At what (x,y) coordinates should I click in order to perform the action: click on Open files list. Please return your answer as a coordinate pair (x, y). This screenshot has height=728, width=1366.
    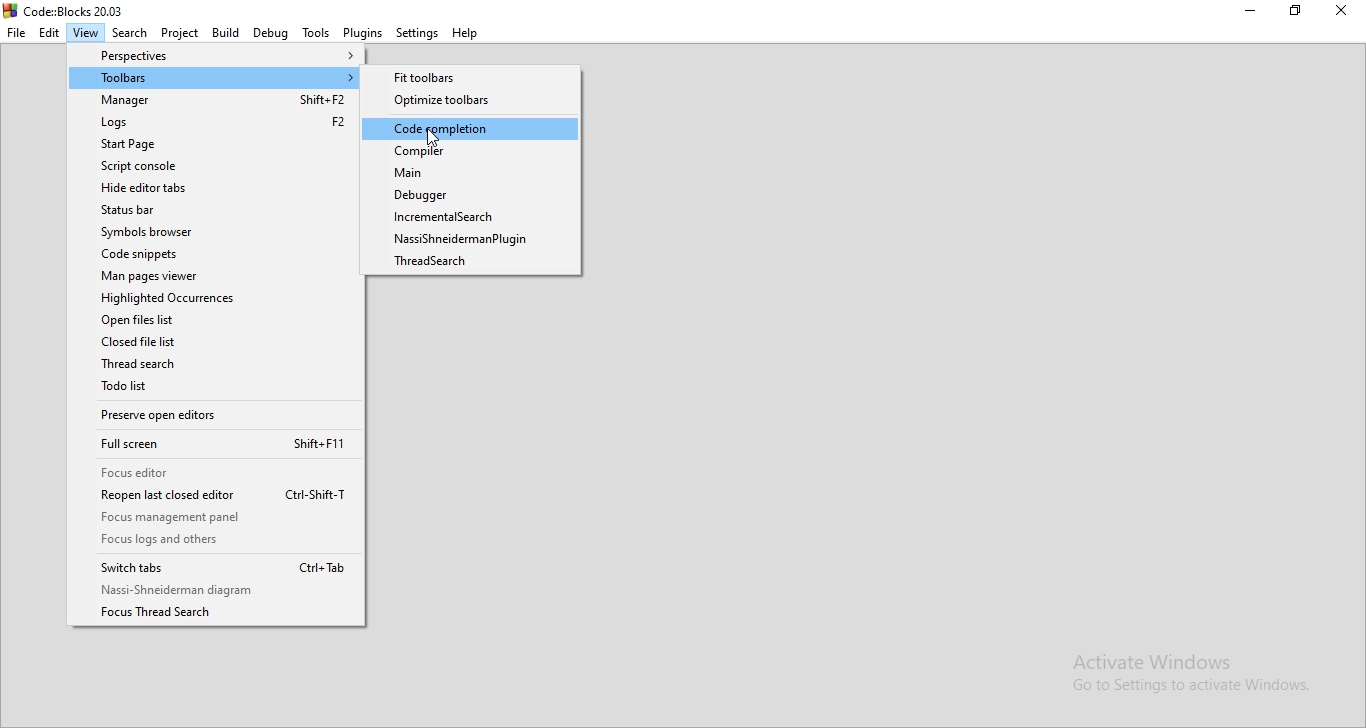
    Looking at the image, I should click on (214, 321).